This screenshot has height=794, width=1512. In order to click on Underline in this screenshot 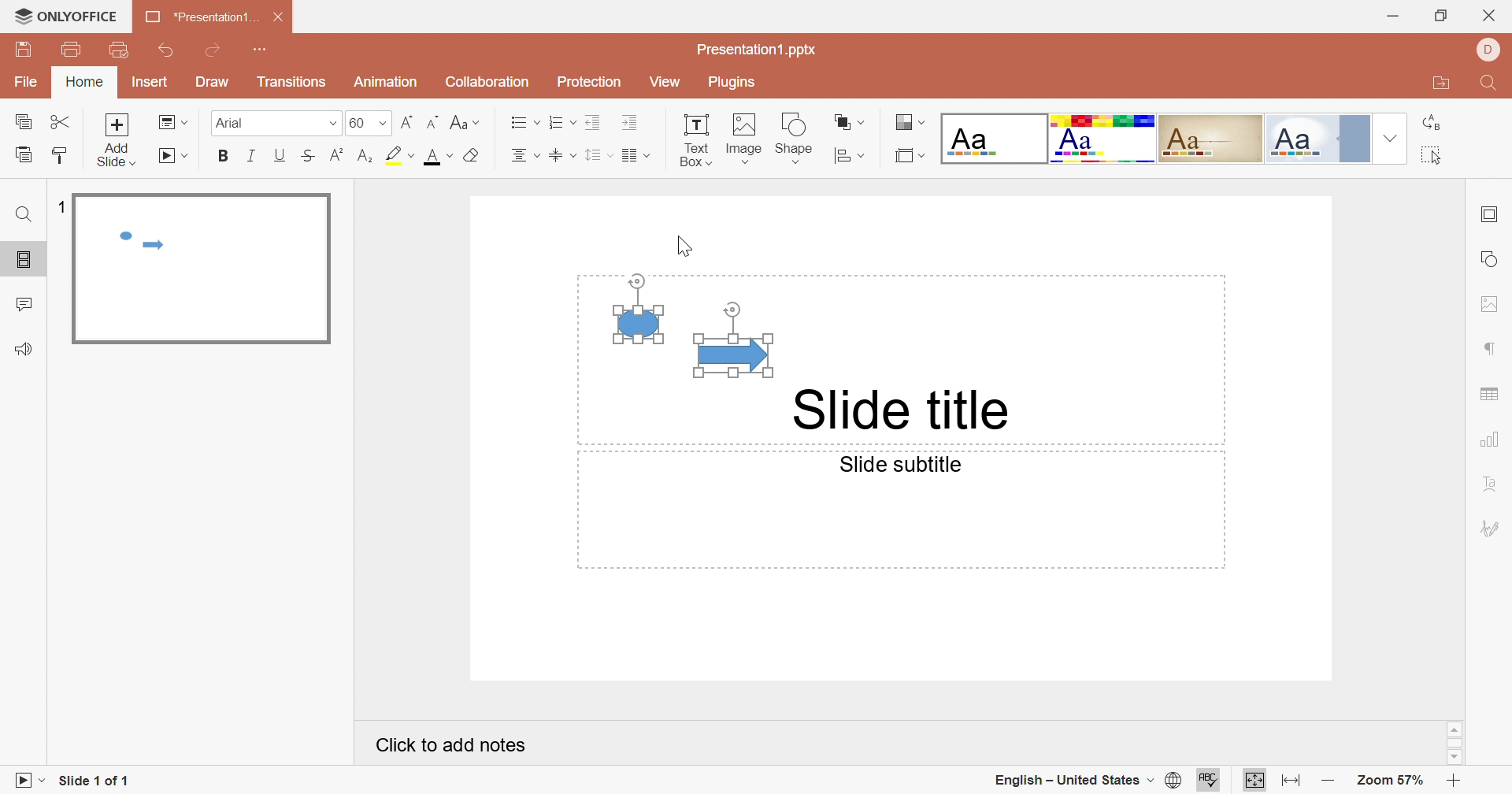, I will do `click(280, 160)`.